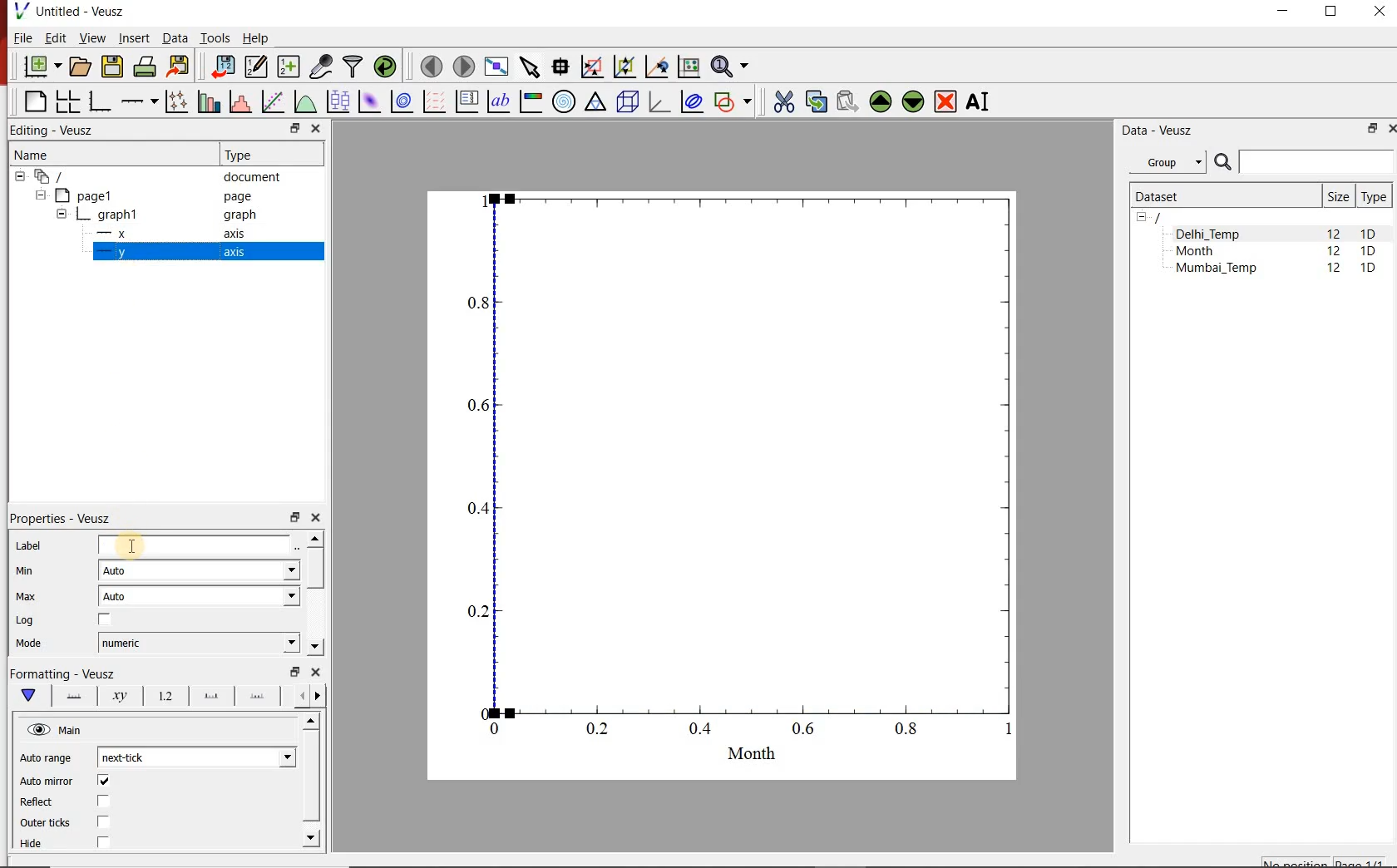 The image size is (1397, 868). Describe the element at coordinates (1338, 196) in the screenshot. I see `Size` at that location.